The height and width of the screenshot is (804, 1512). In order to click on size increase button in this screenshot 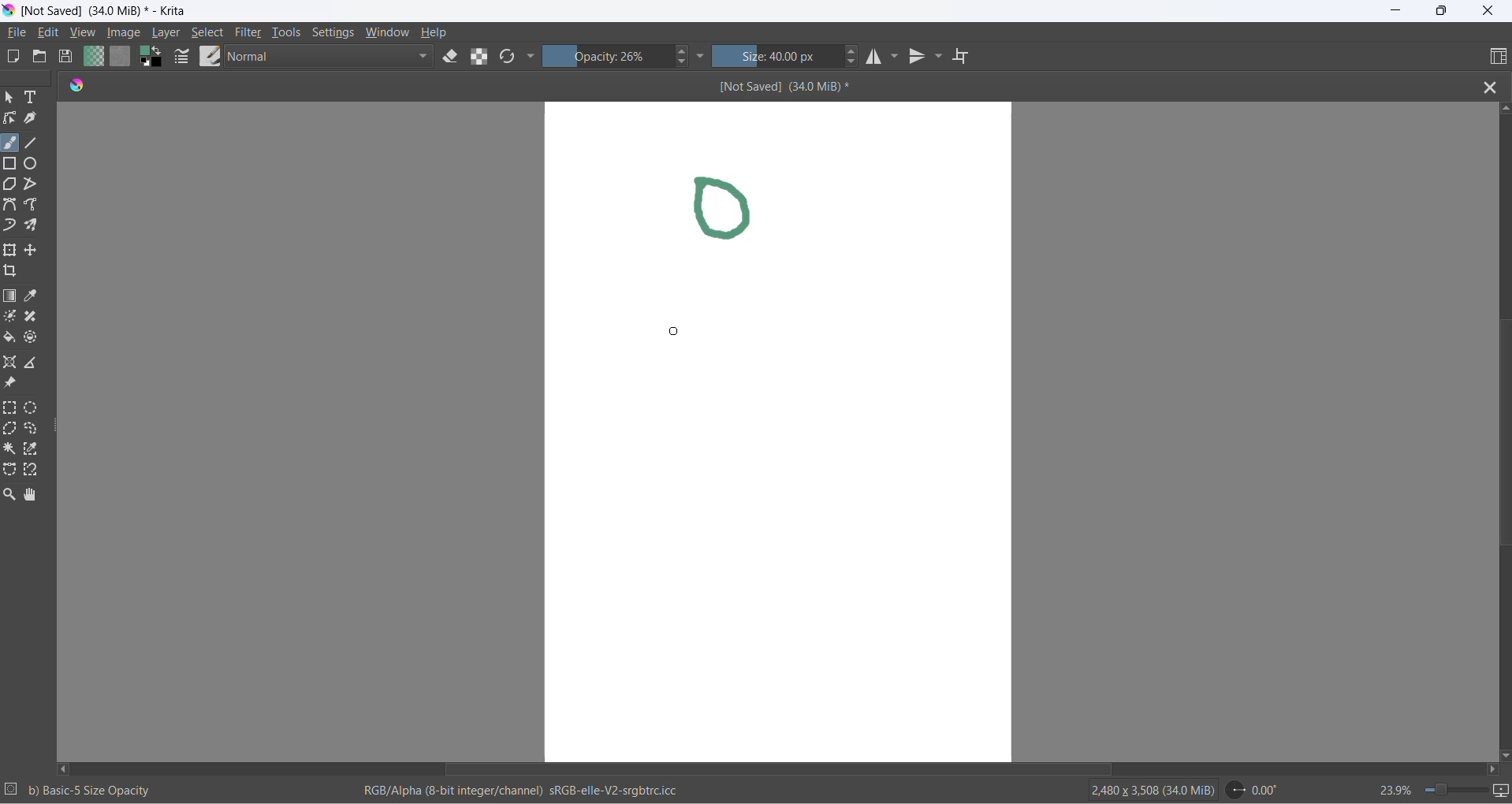, I will do `click(855, 52)`.